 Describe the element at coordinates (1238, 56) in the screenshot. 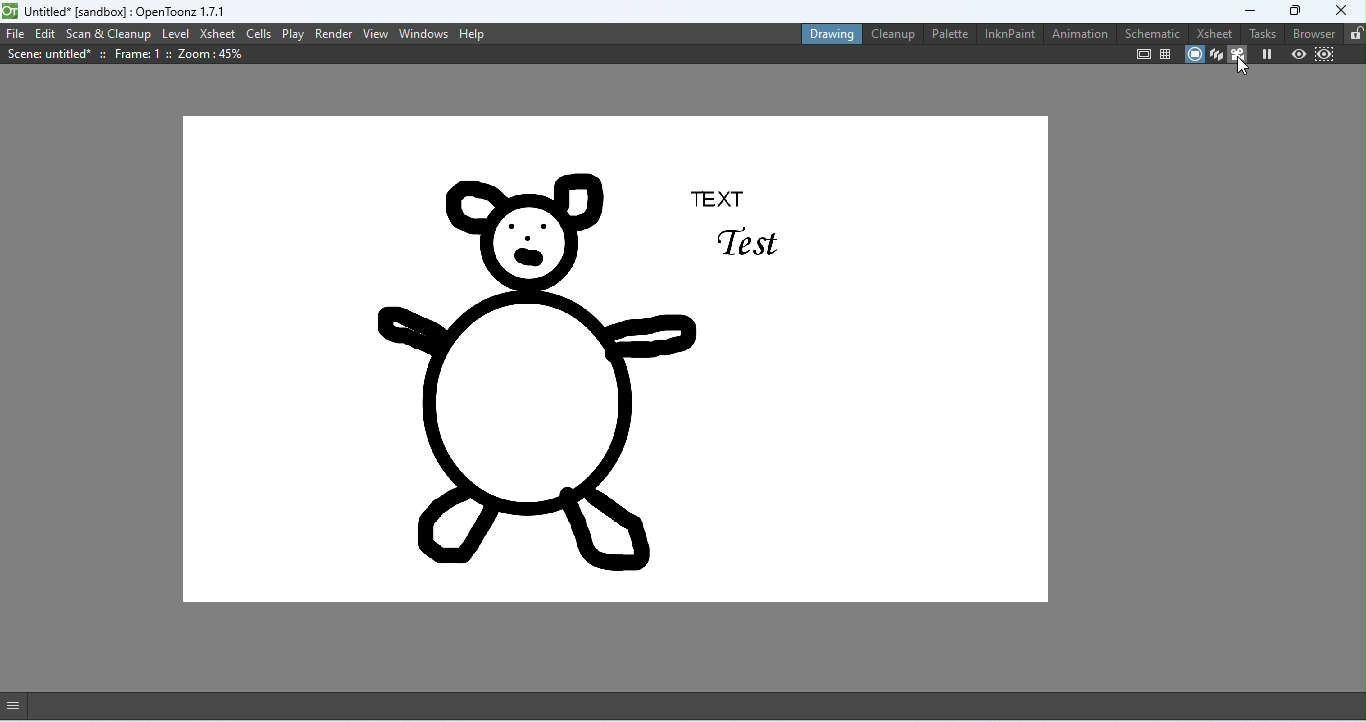

I see `camera view` at that location.